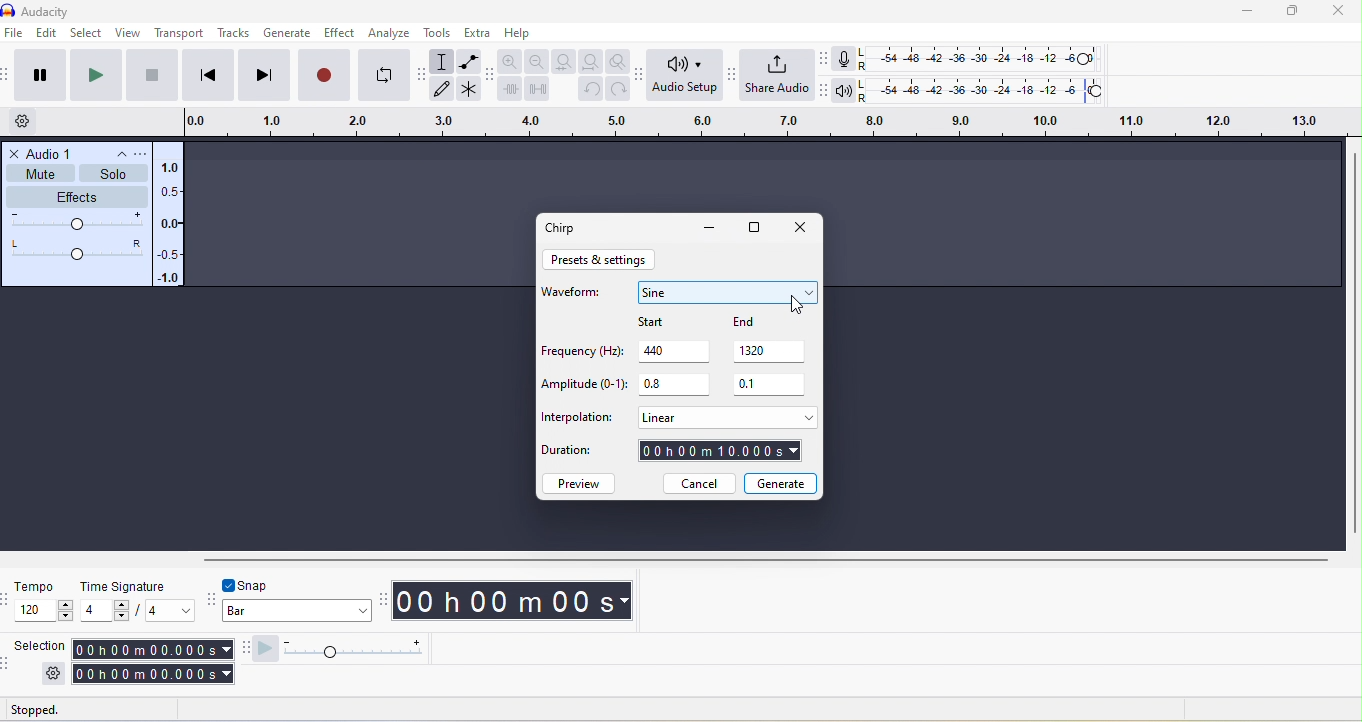 This screenshot has height=722, width=1362. I want to click on presets & settings, so click(601, 260).